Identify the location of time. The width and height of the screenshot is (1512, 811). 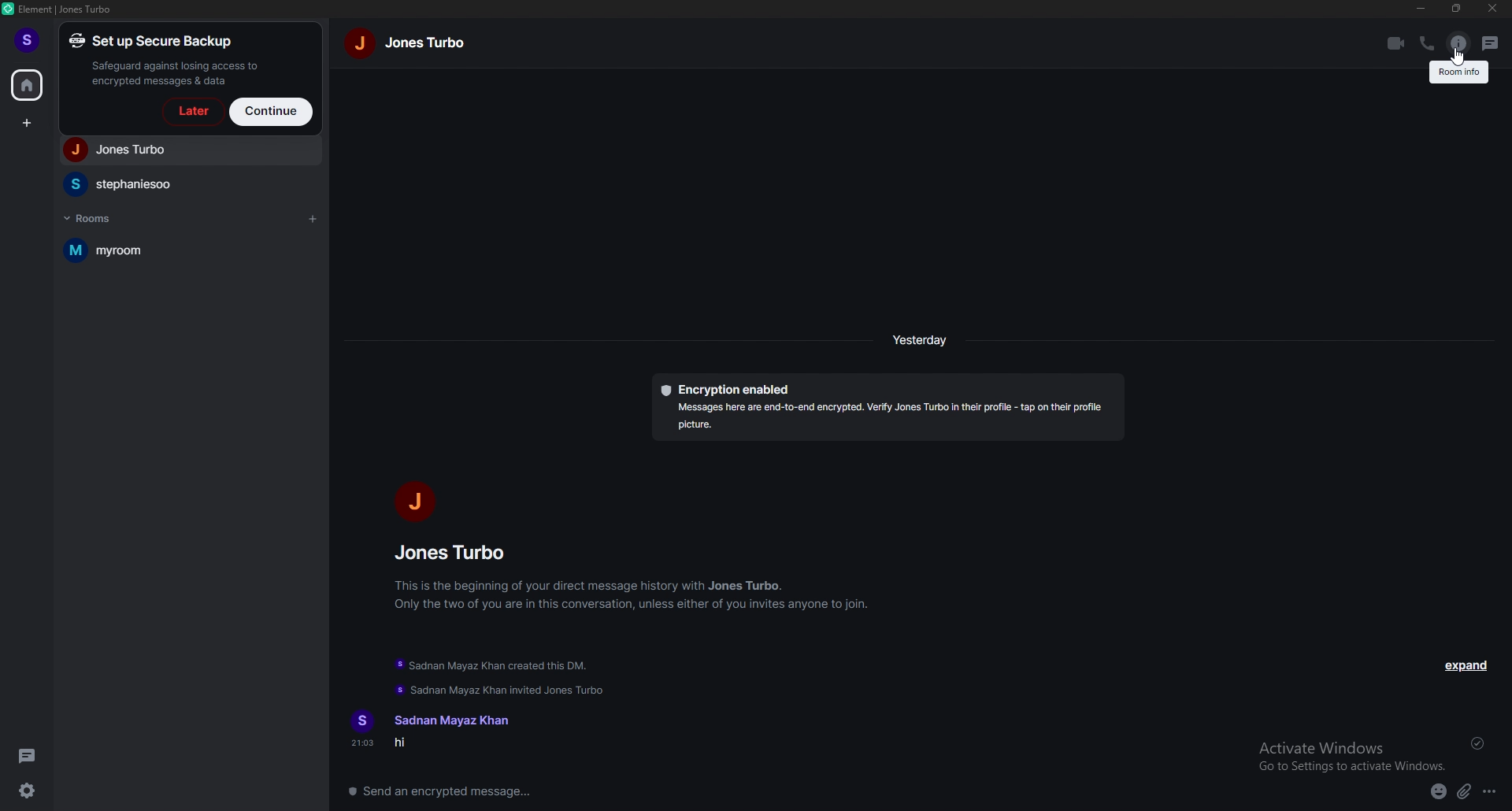
(920, 339).